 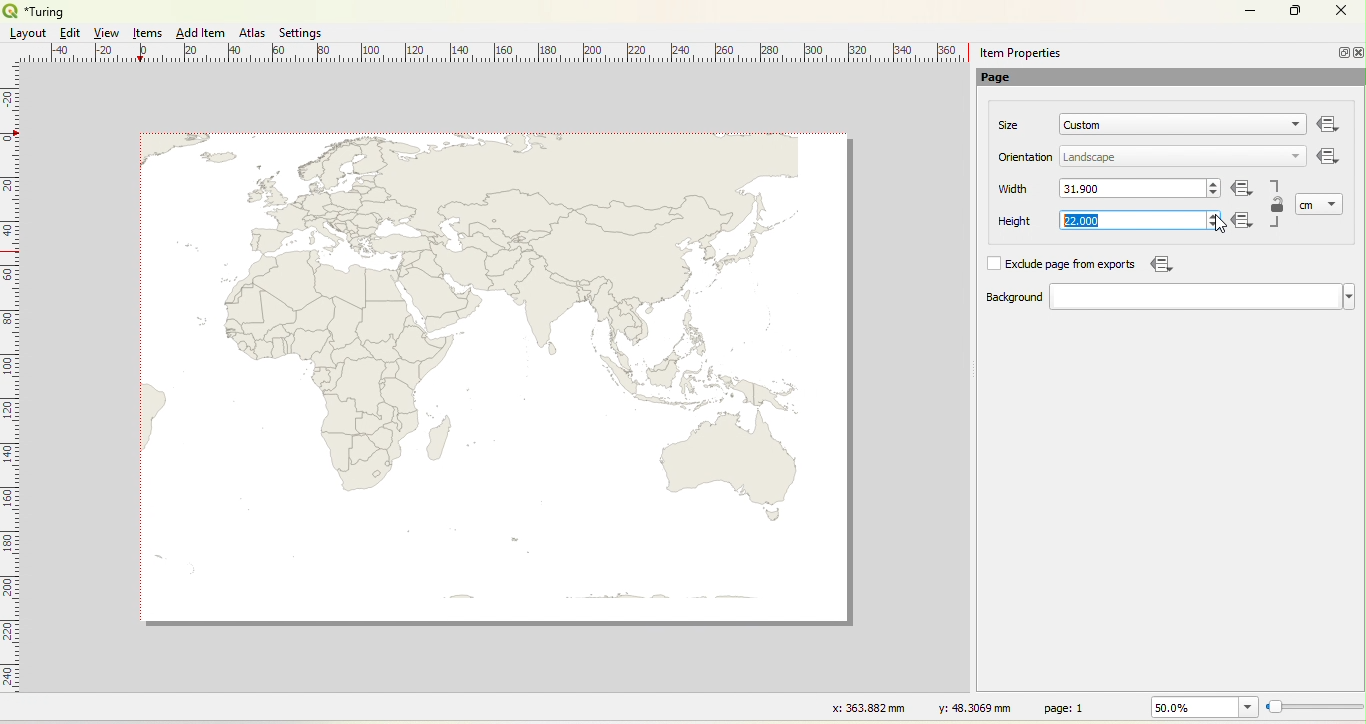 I want to click on Items, so click(x=149, y=34).